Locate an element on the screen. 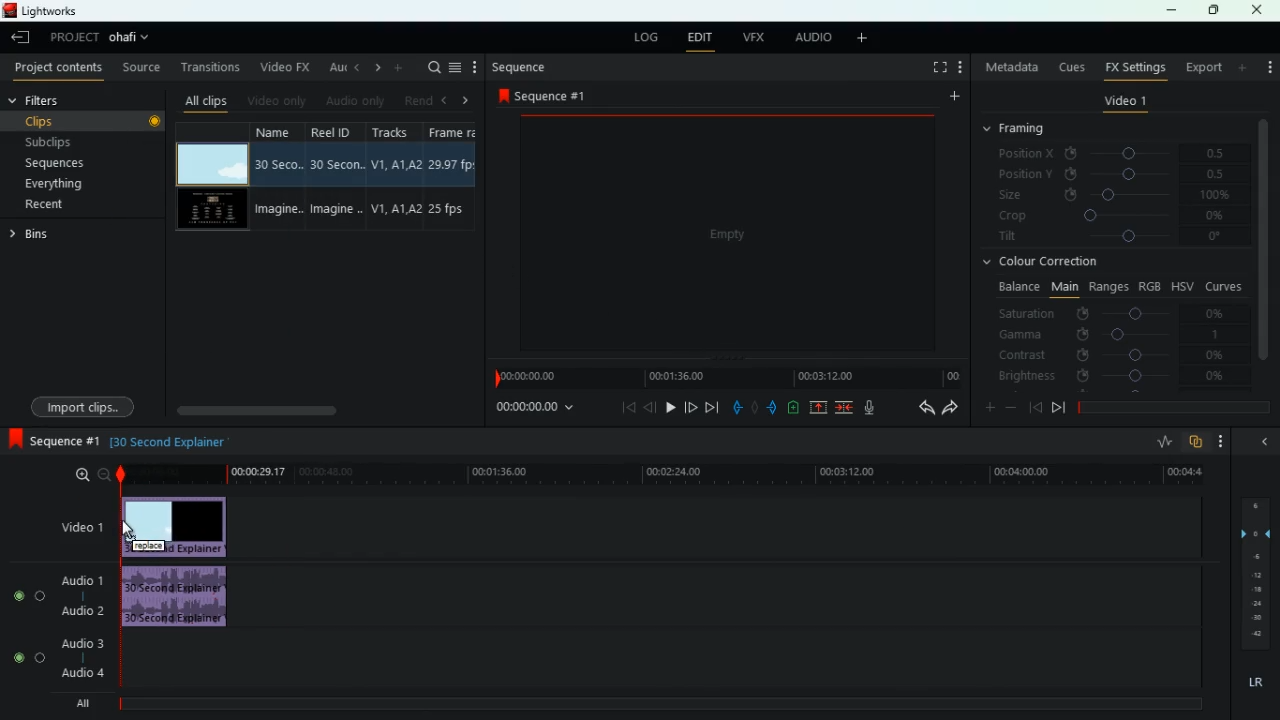 The height and width of the screenshot is (720, 1280). more is located at coordinates (1267, 62).